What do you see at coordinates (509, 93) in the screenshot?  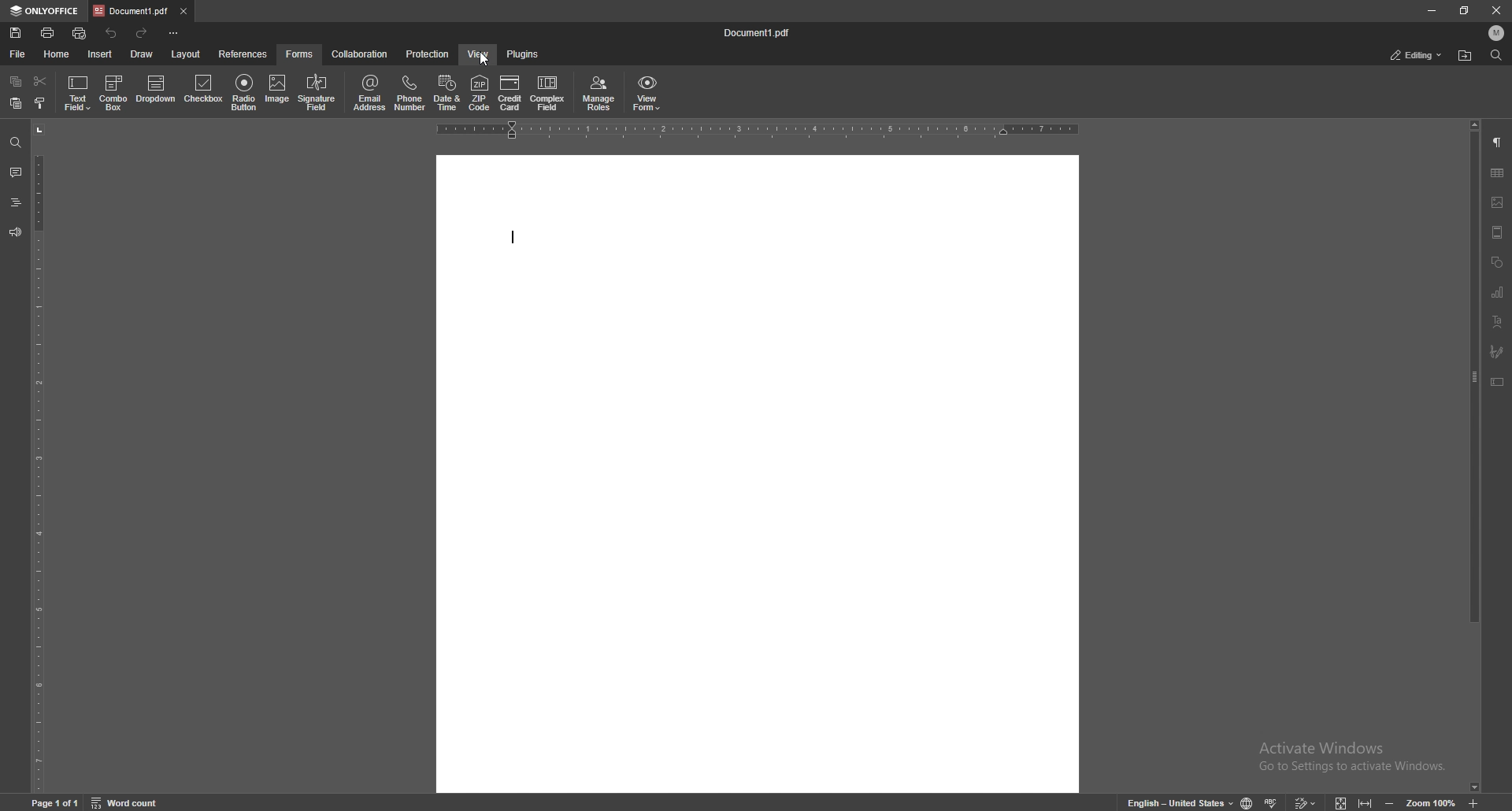 I see `credit card` at bounding box center [509, 93].